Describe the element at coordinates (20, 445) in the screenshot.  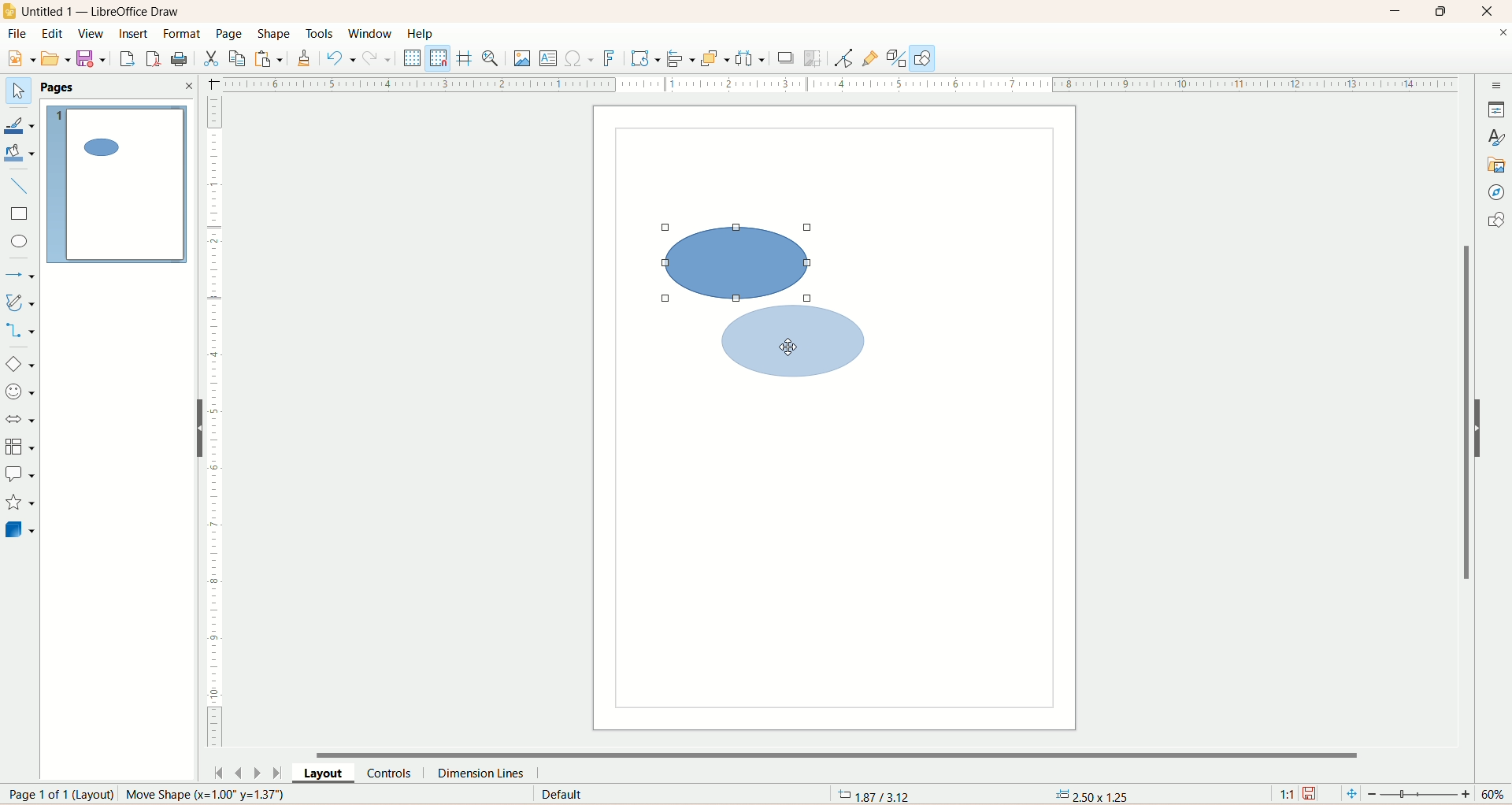
I see `flowchart` at that location.